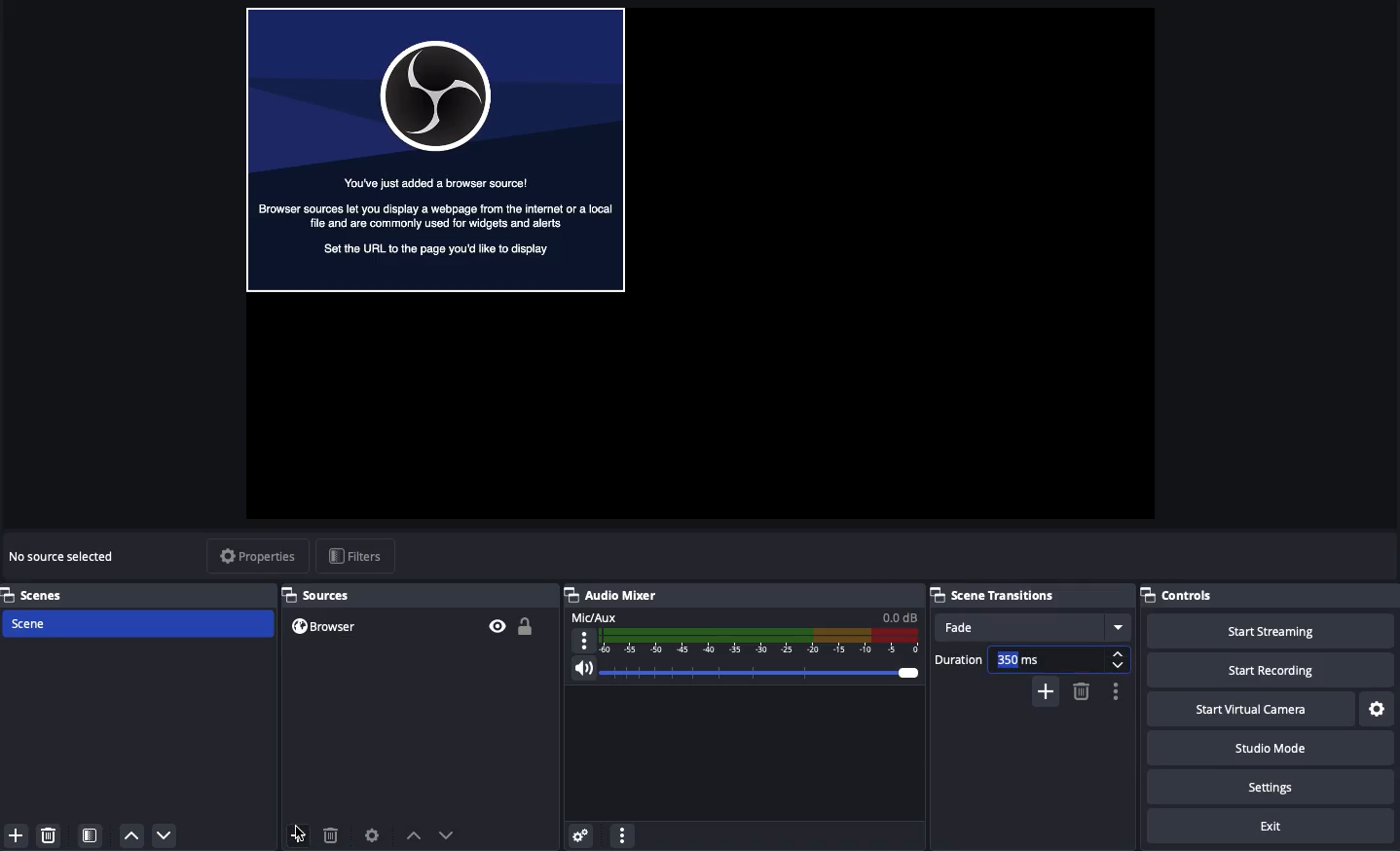 This screenshot has height=851, width=1400. I want to click on Add, so click(299, 833).